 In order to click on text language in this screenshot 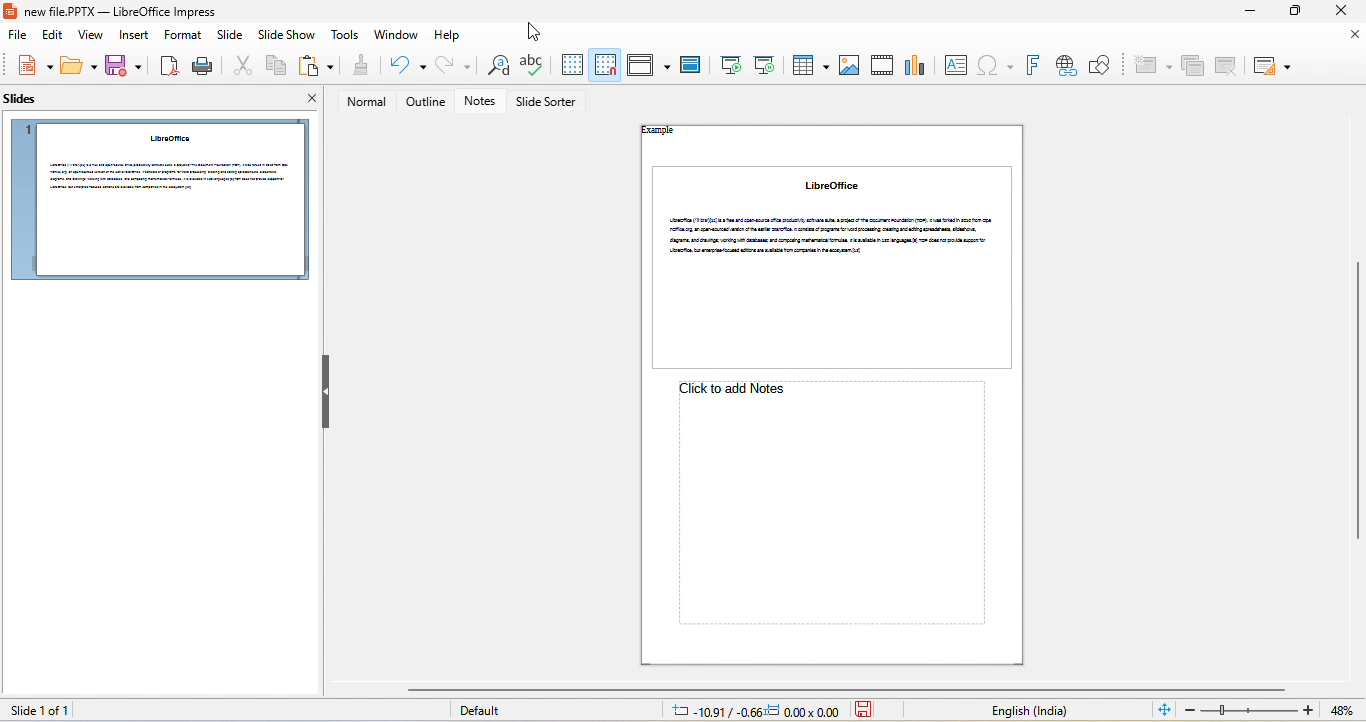, I will do `click(1029, 711)`.